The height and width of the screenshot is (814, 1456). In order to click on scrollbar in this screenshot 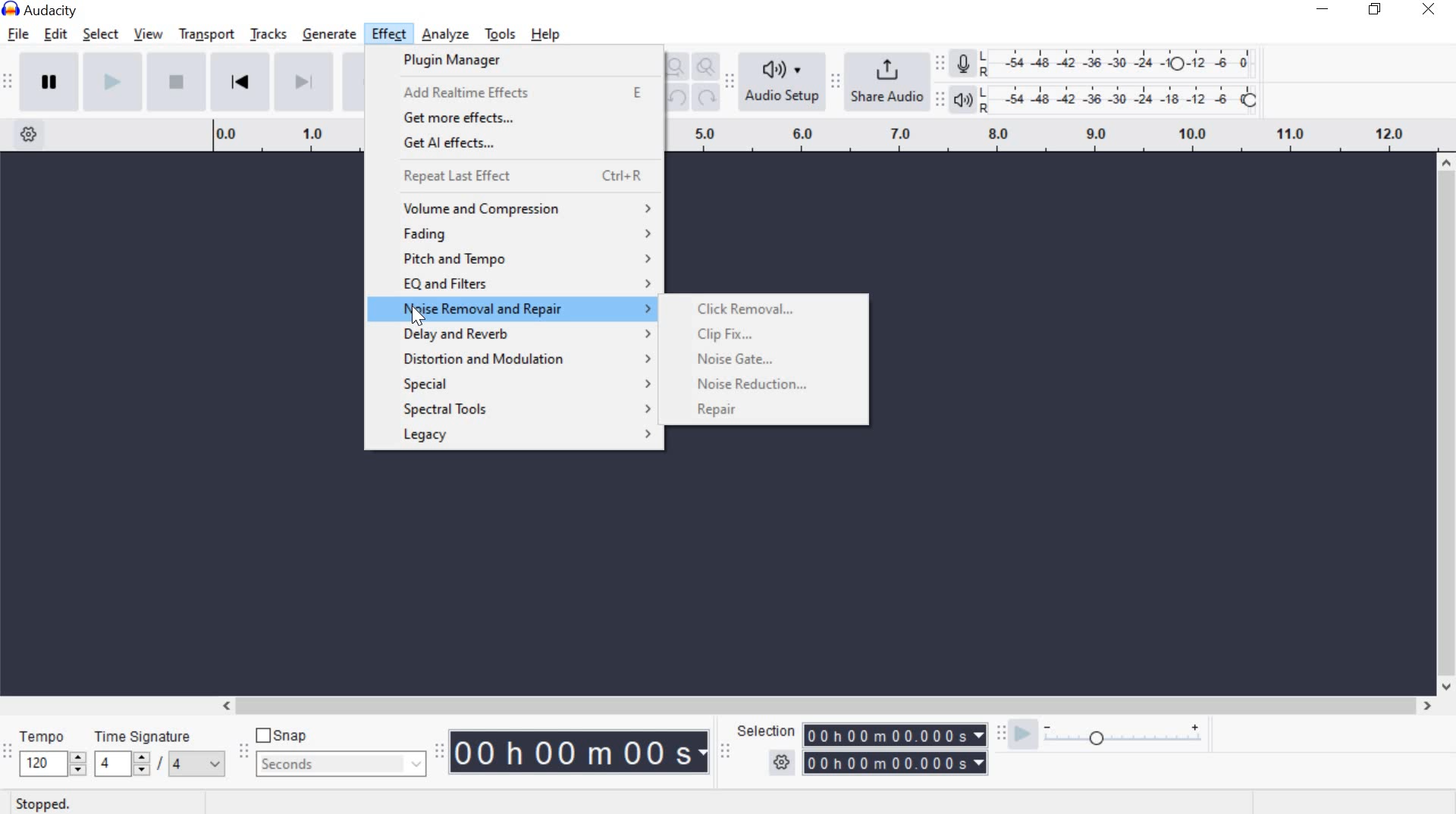, I will do `click(1447, 424)`.